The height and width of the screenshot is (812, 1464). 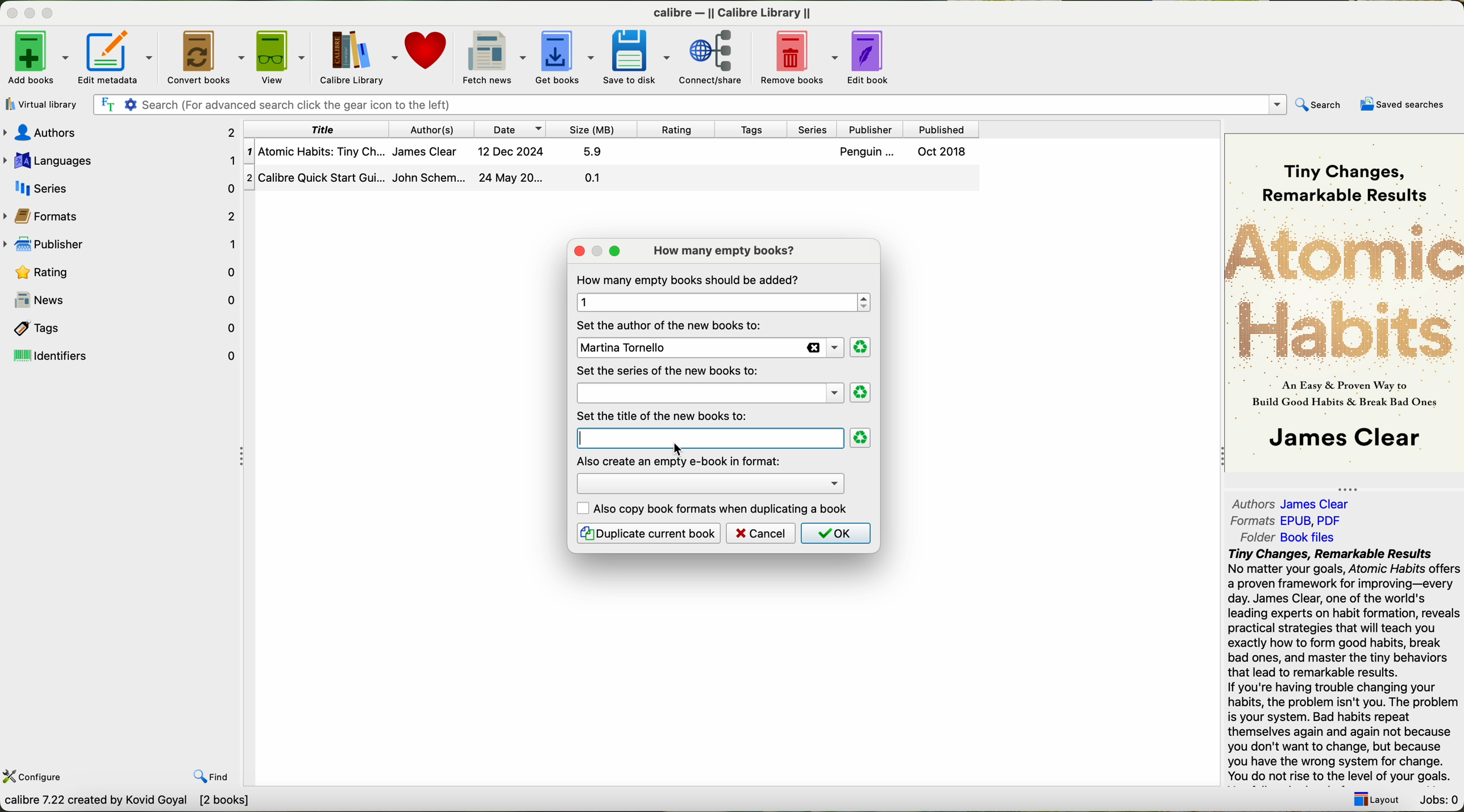 What do you see at coordinates (756, 129) in the screenshot?
I see `tags` at bounding box center [756, 129].